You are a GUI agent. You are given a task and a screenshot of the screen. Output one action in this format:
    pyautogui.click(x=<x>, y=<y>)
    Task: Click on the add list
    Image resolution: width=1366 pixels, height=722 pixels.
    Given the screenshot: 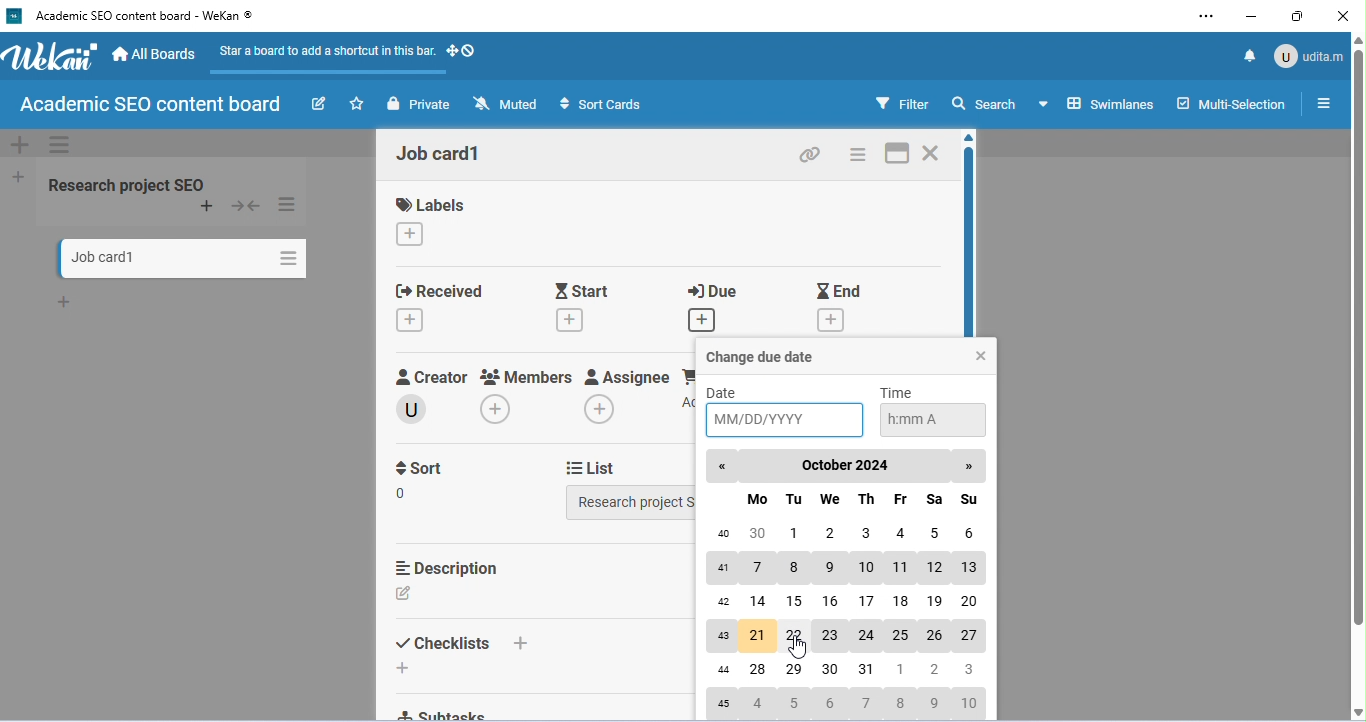 What is the action you would take?
    pyautogui.click(x=20, y=178)
    